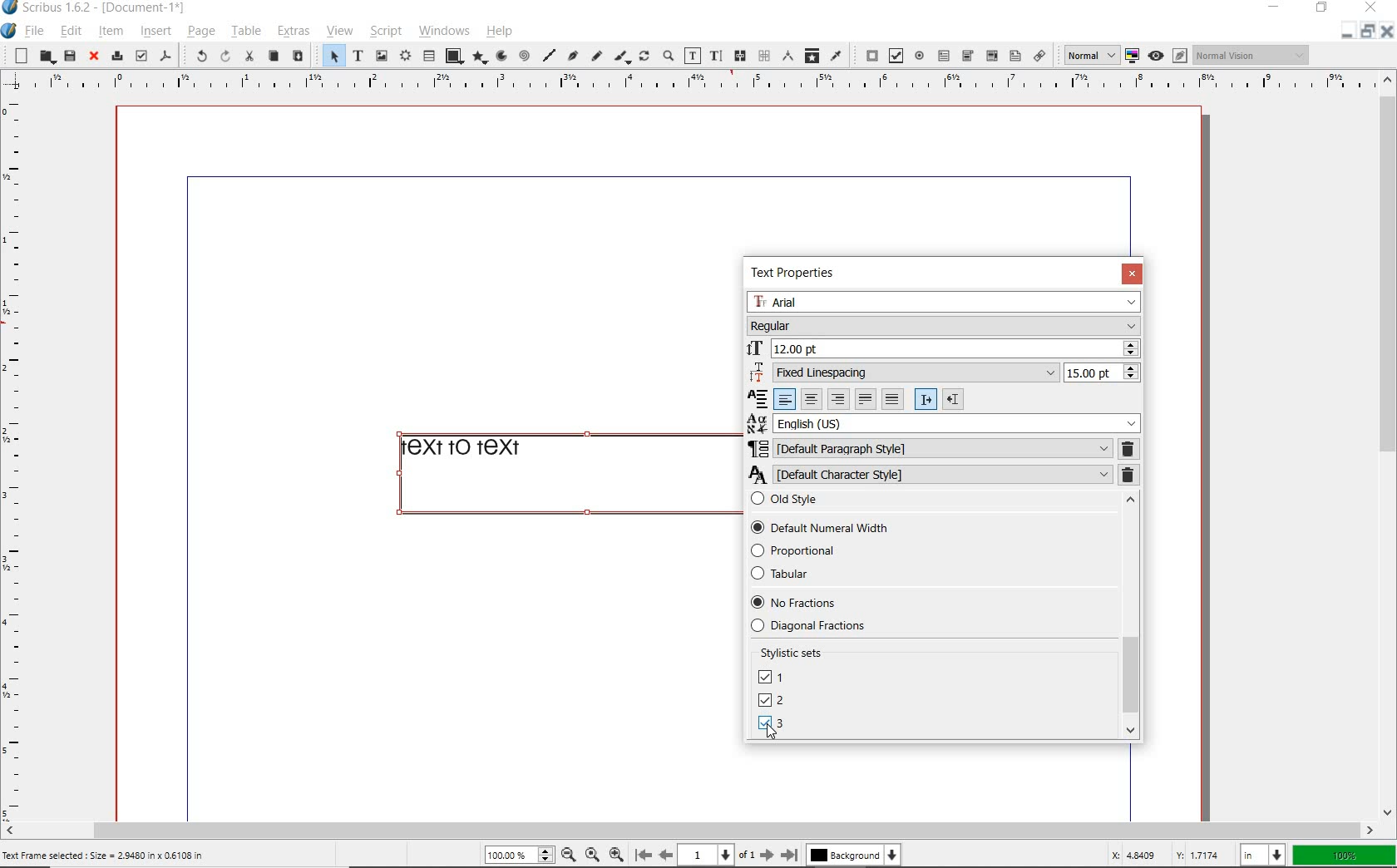 This screenshot has height=868, width=1397. Describe the element at coordinates (297, 57) in the screenshot. I see `paste` at that location.